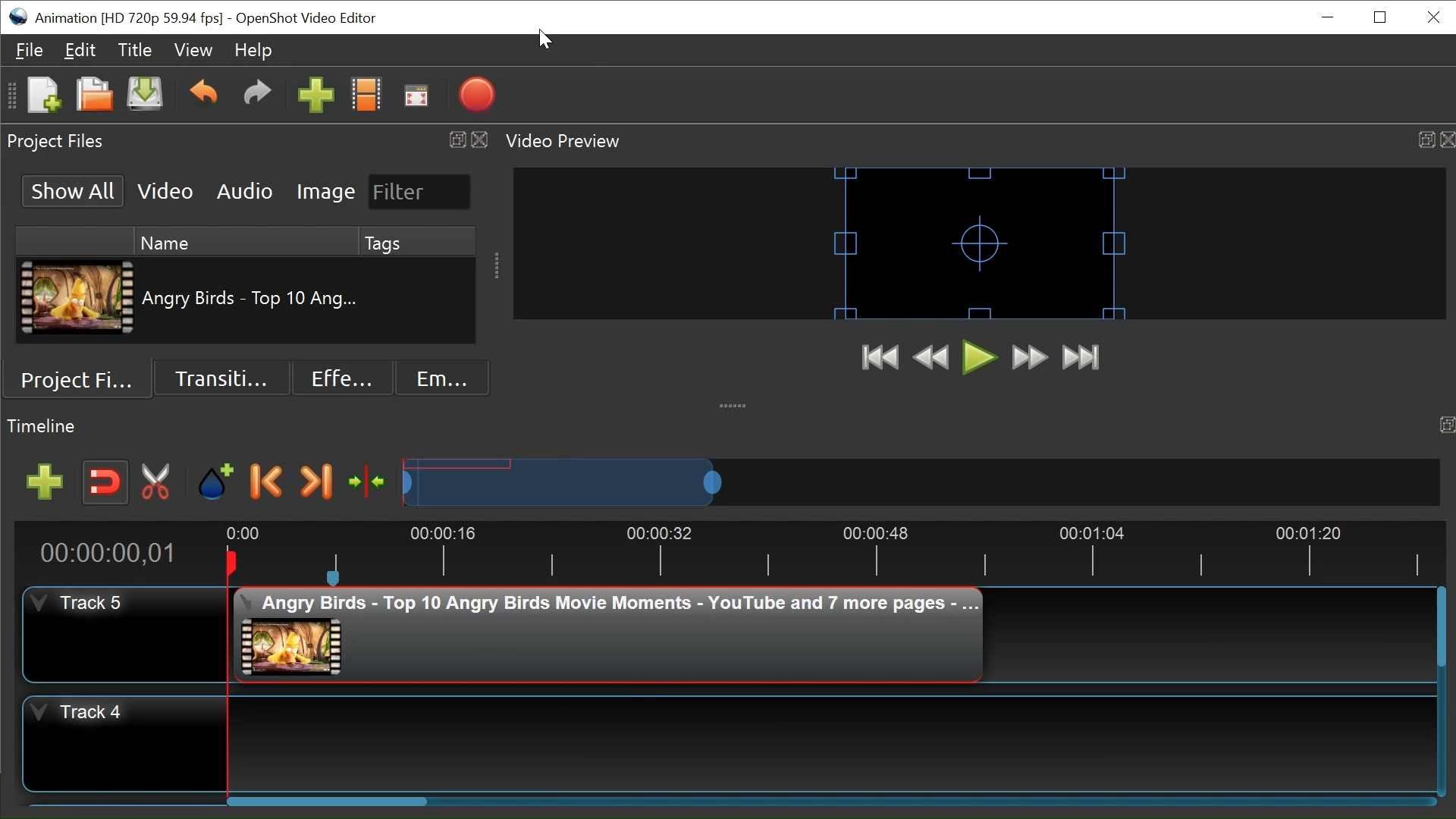  I want to click on Choose Profile, so click(368, 97).